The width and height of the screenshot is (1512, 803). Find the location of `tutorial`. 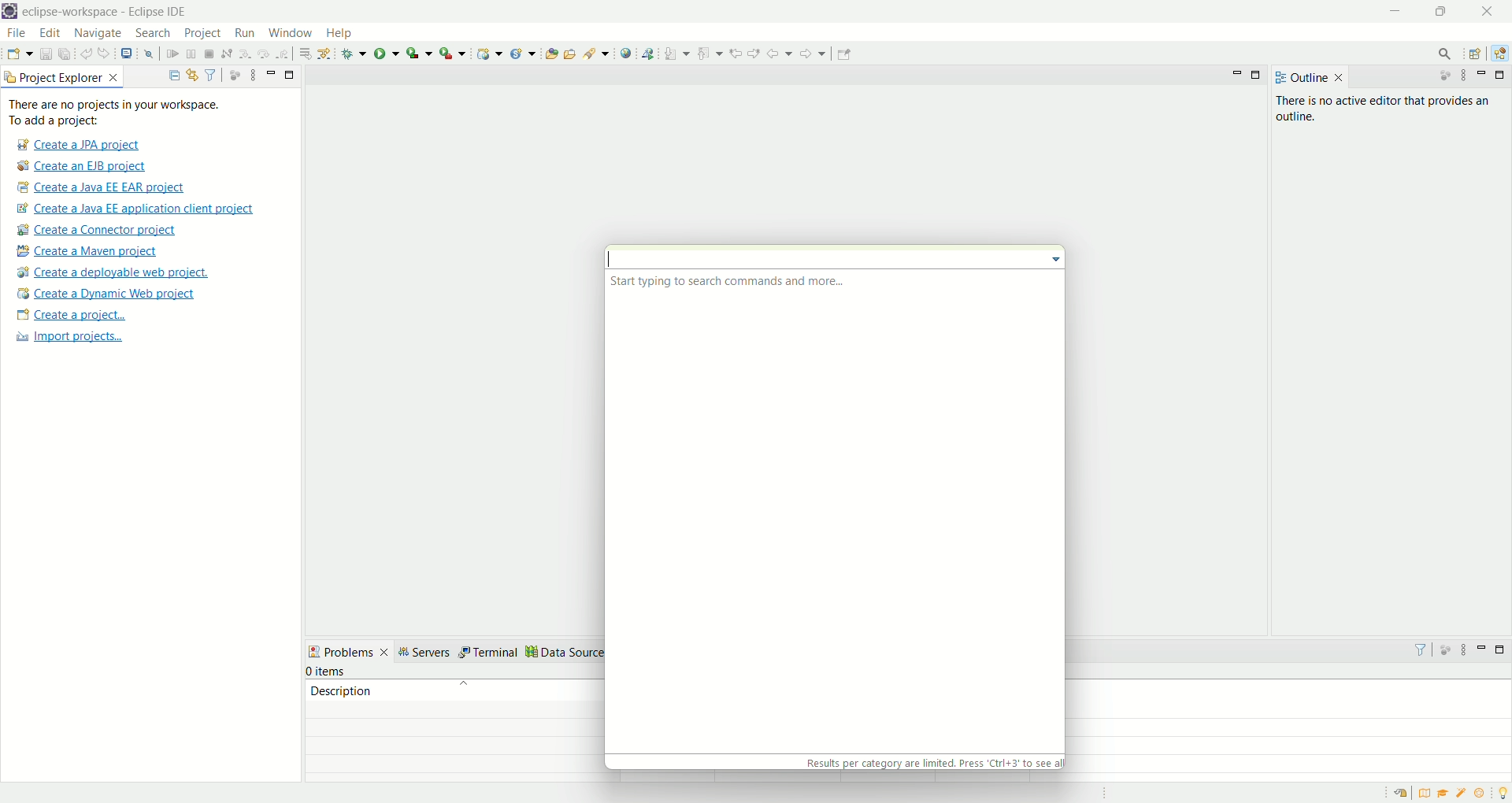

tutorial is located at coordinates (1443, 794).